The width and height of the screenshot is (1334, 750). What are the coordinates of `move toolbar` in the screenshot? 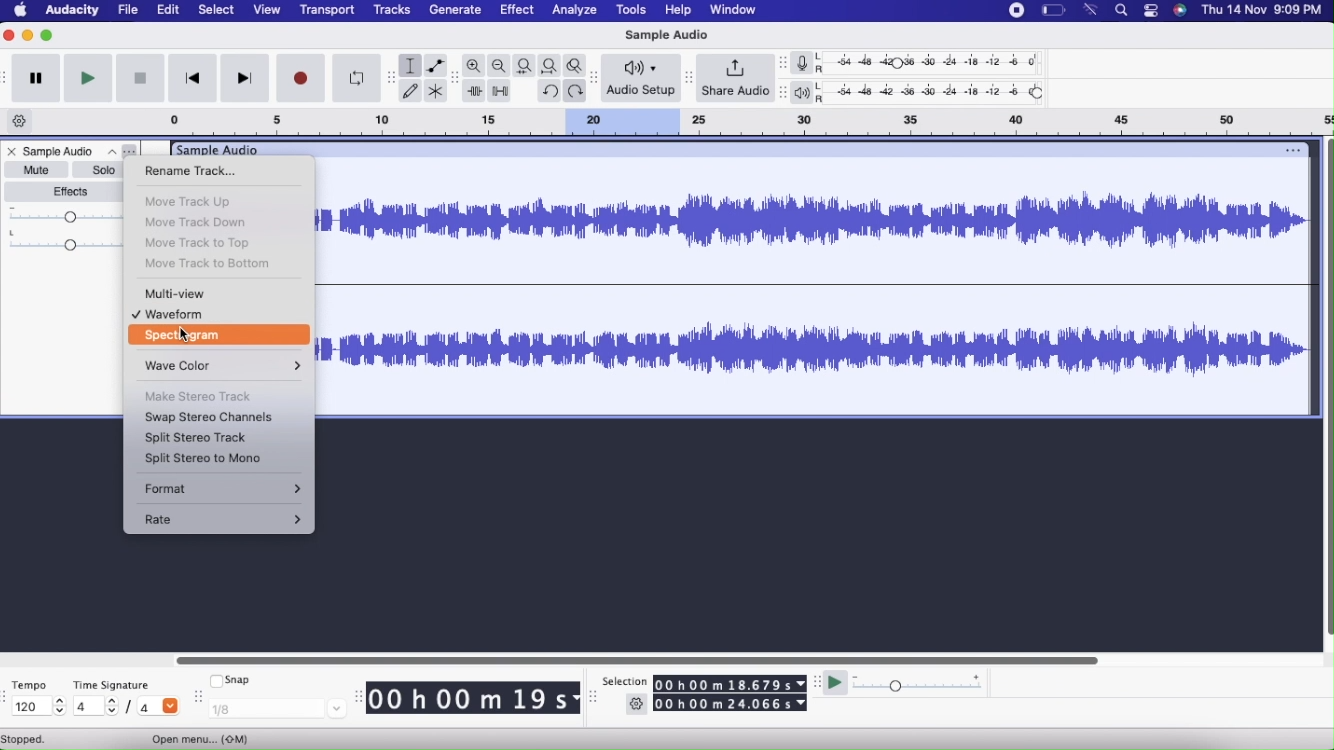 It's located at (783, 94).